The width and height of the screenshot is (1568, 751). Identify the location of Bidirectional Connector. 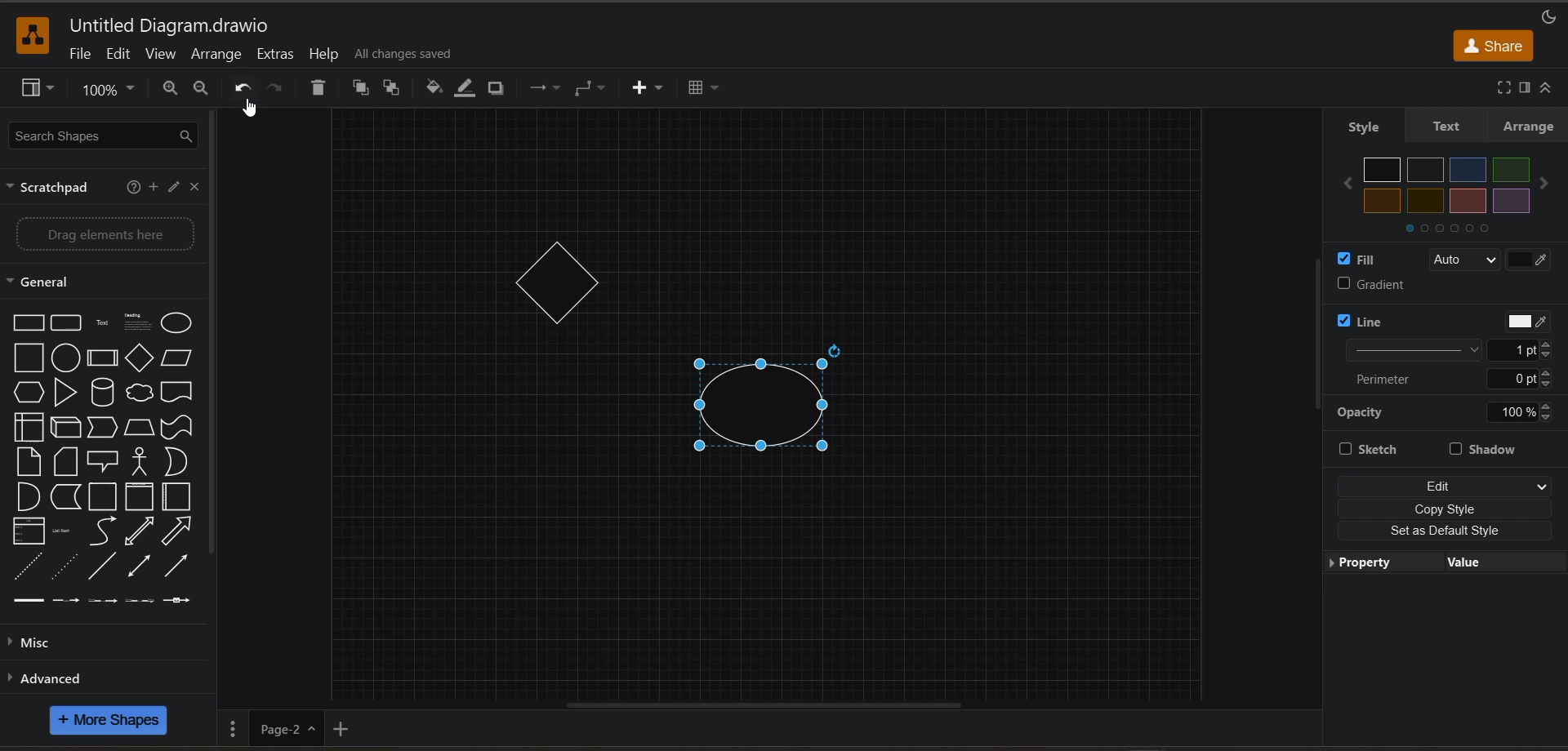
(141, 569).